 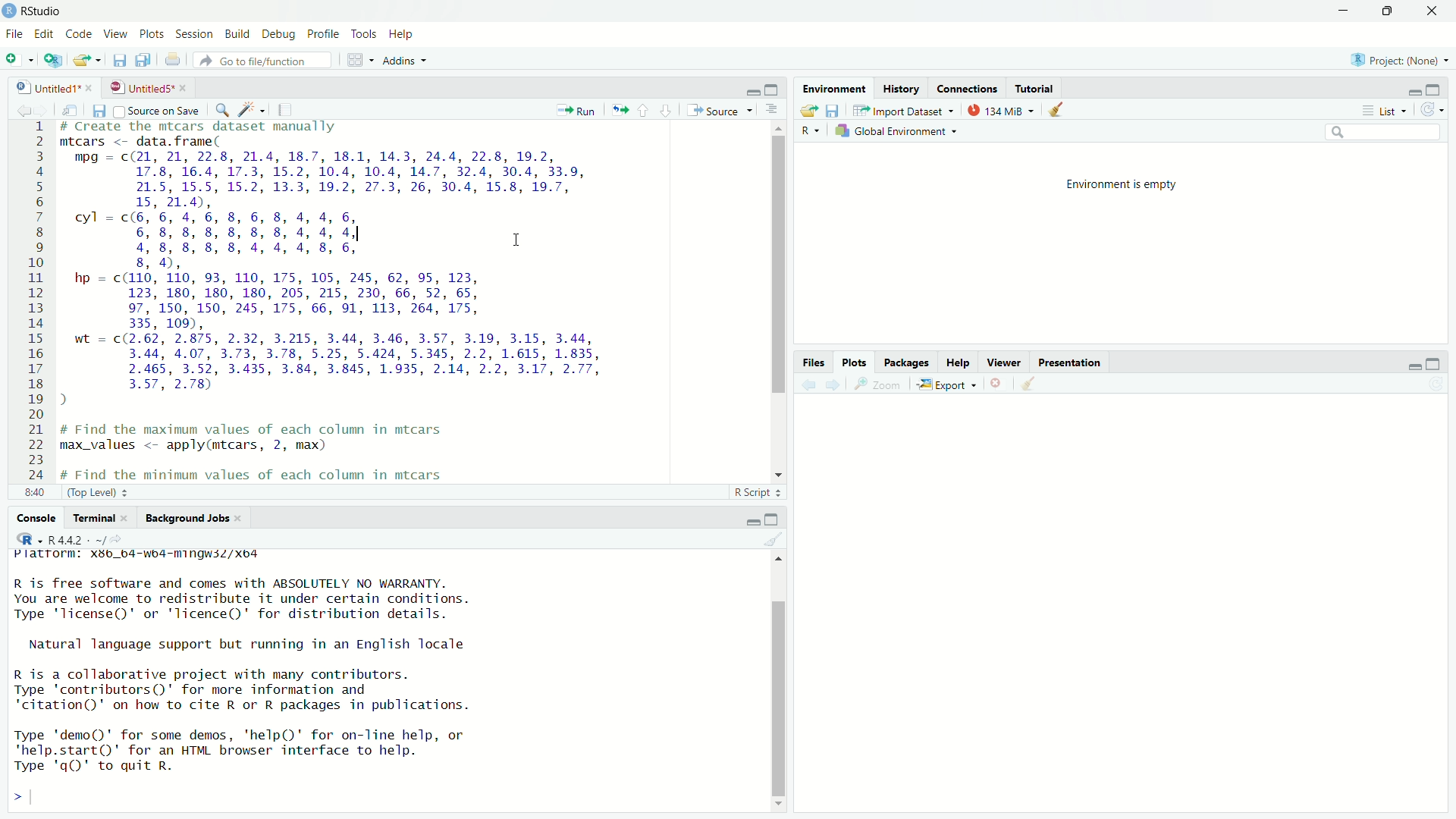 What do you see at coordinates (905, 89) in the screenshot?
I see `History` at bounding box center [905, 89].